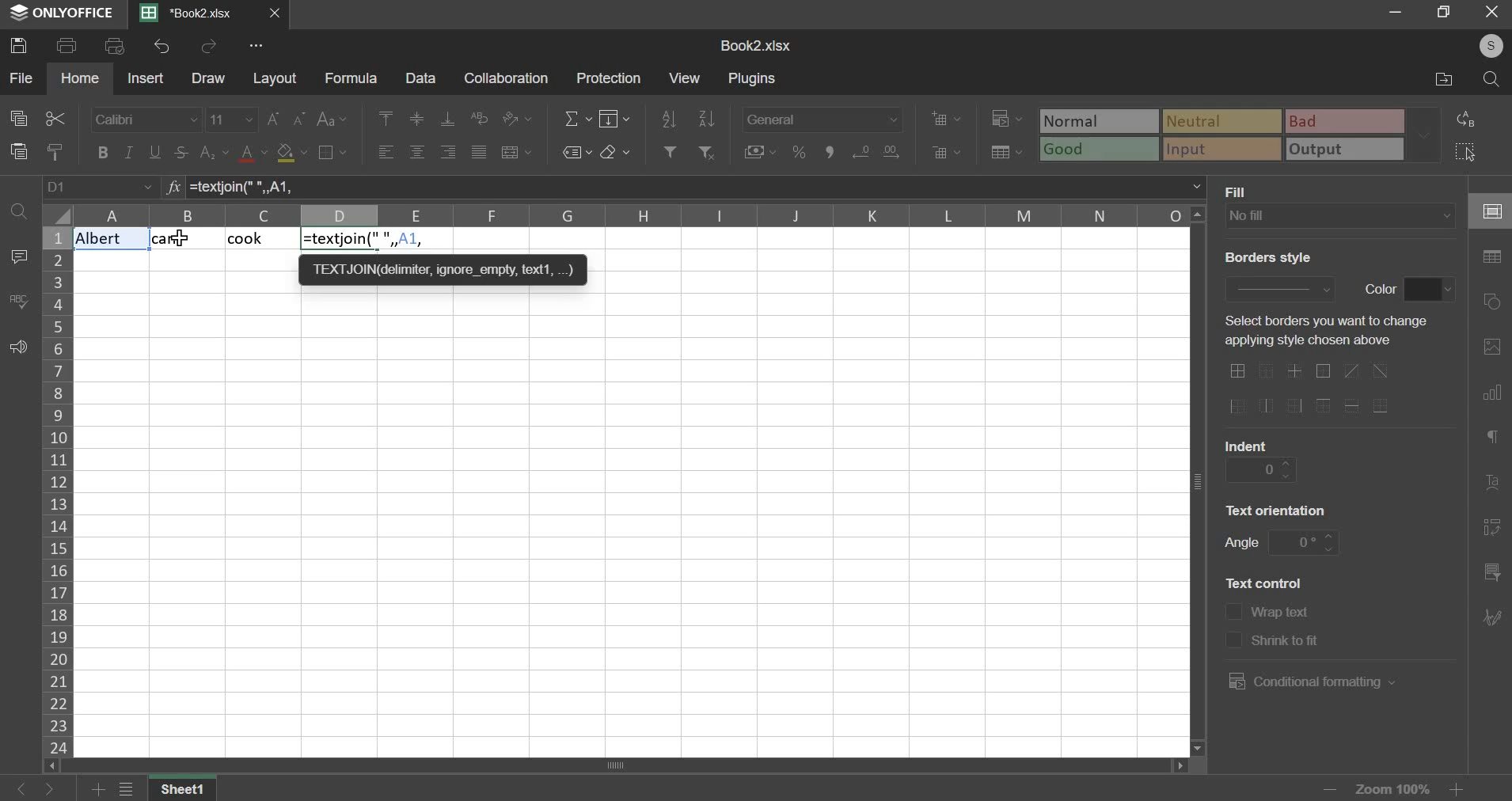  Describe the element at coordinates (1491, 439) in the screenshot. I see `paragraph` at that location.